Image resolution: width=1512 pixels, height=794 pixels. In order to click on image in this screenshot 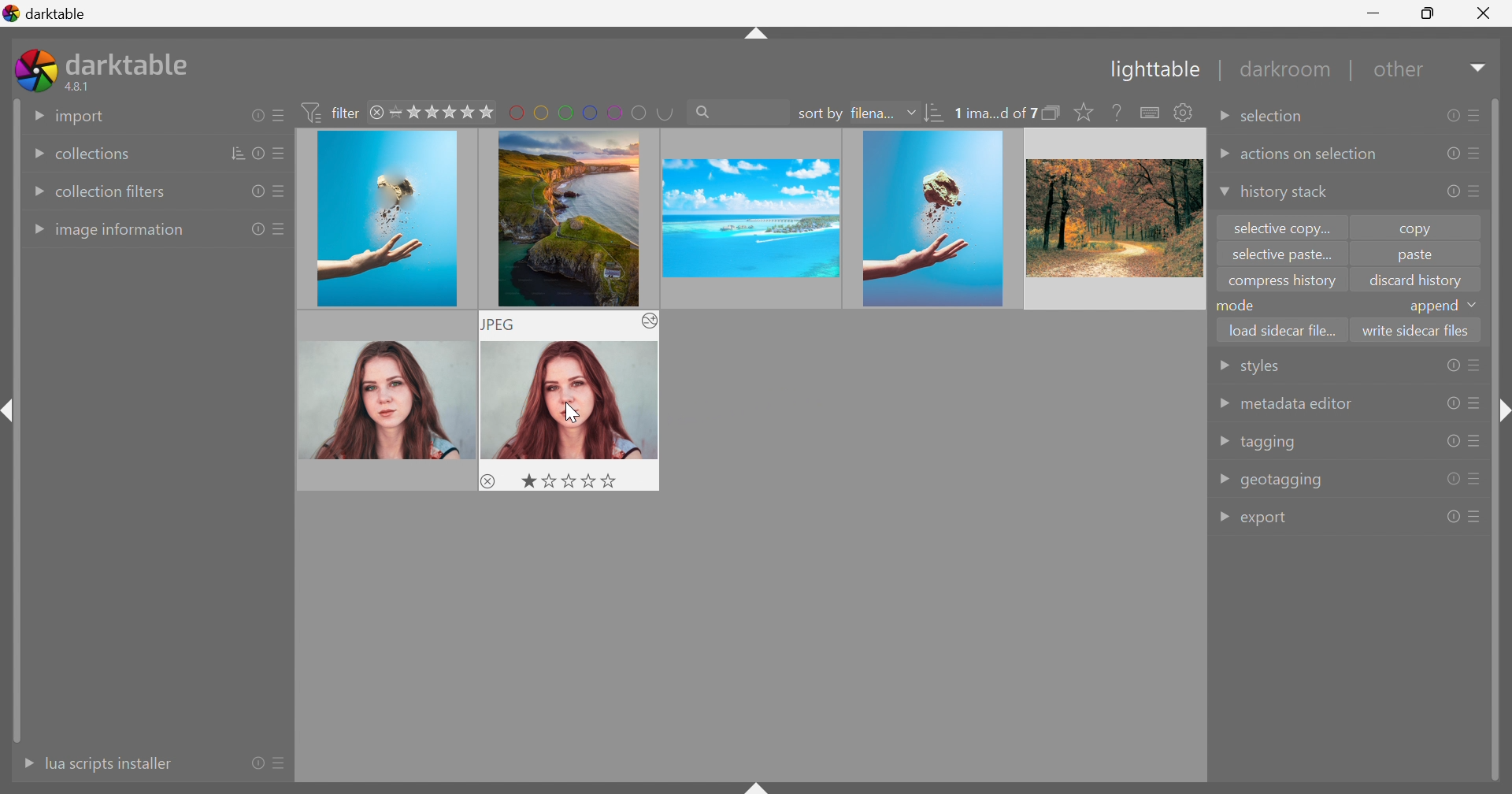, I will do `click(384, 400)`.